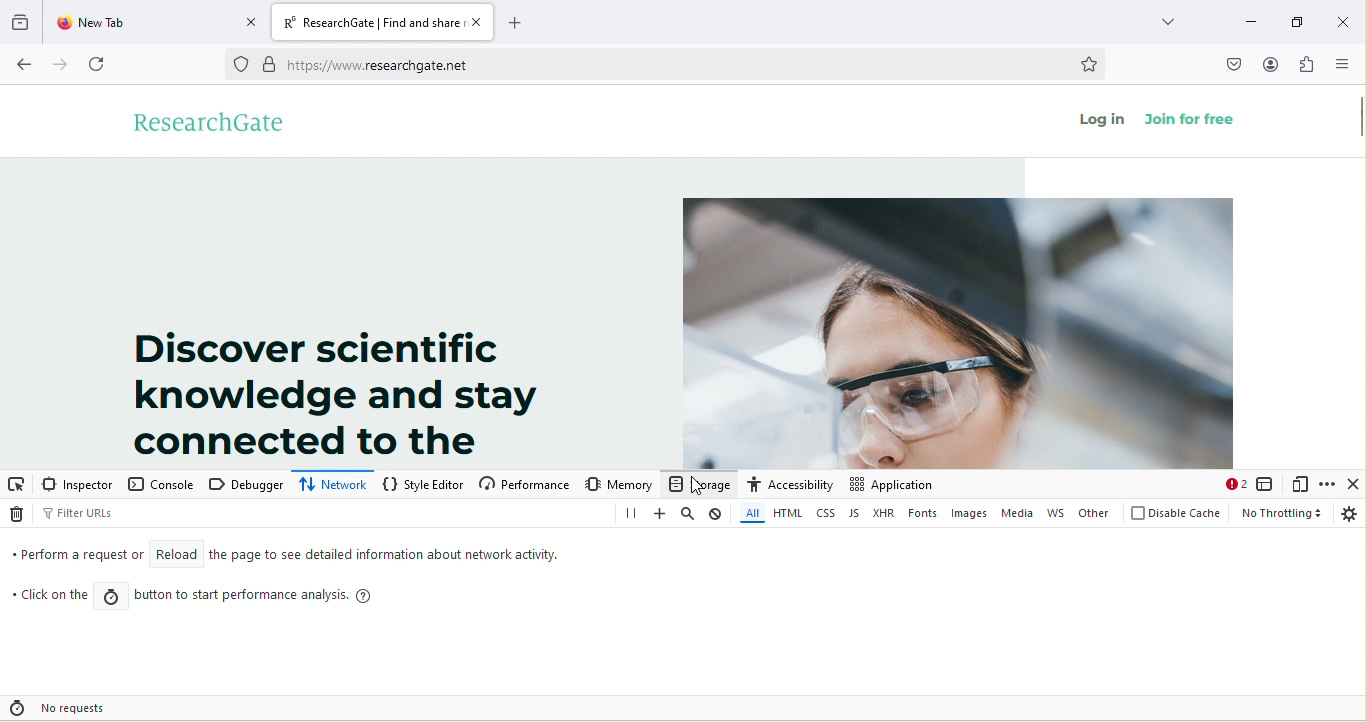 The image size is (1366, 722). Describe the element at coordinates (1094, 513) in the screenshot. I see `other` at that location.